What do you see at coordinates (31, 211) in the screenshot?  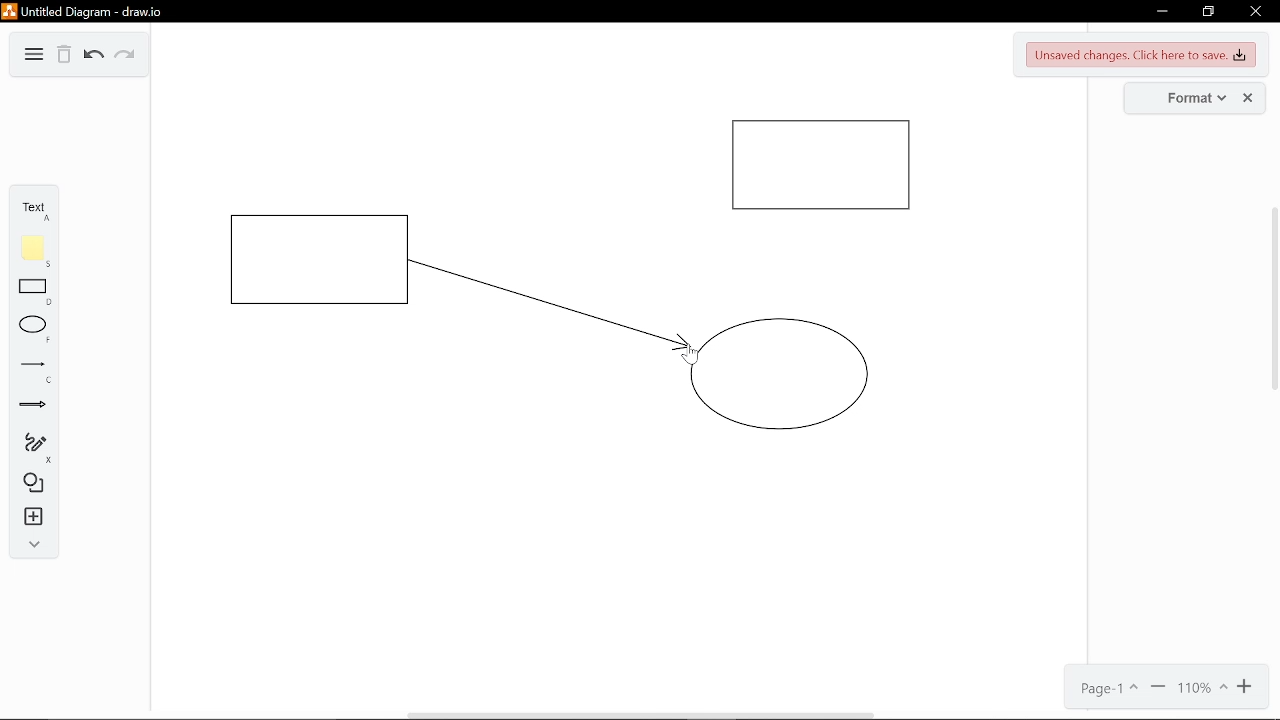 I see `text` at bounding box center [31, 211].